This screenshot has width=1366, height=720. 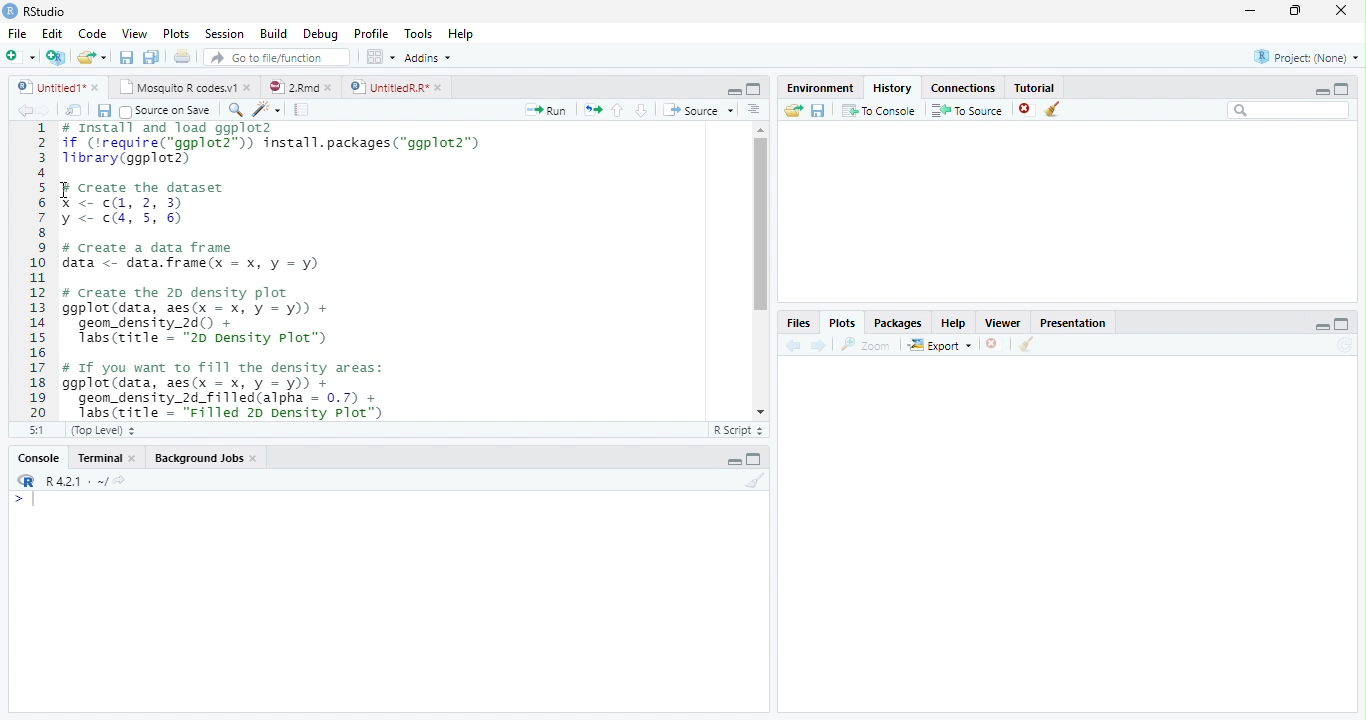 What do you see at coordinates (818, 88) in the screenshot?
I see `Environment` at bounding box center [818, 88].